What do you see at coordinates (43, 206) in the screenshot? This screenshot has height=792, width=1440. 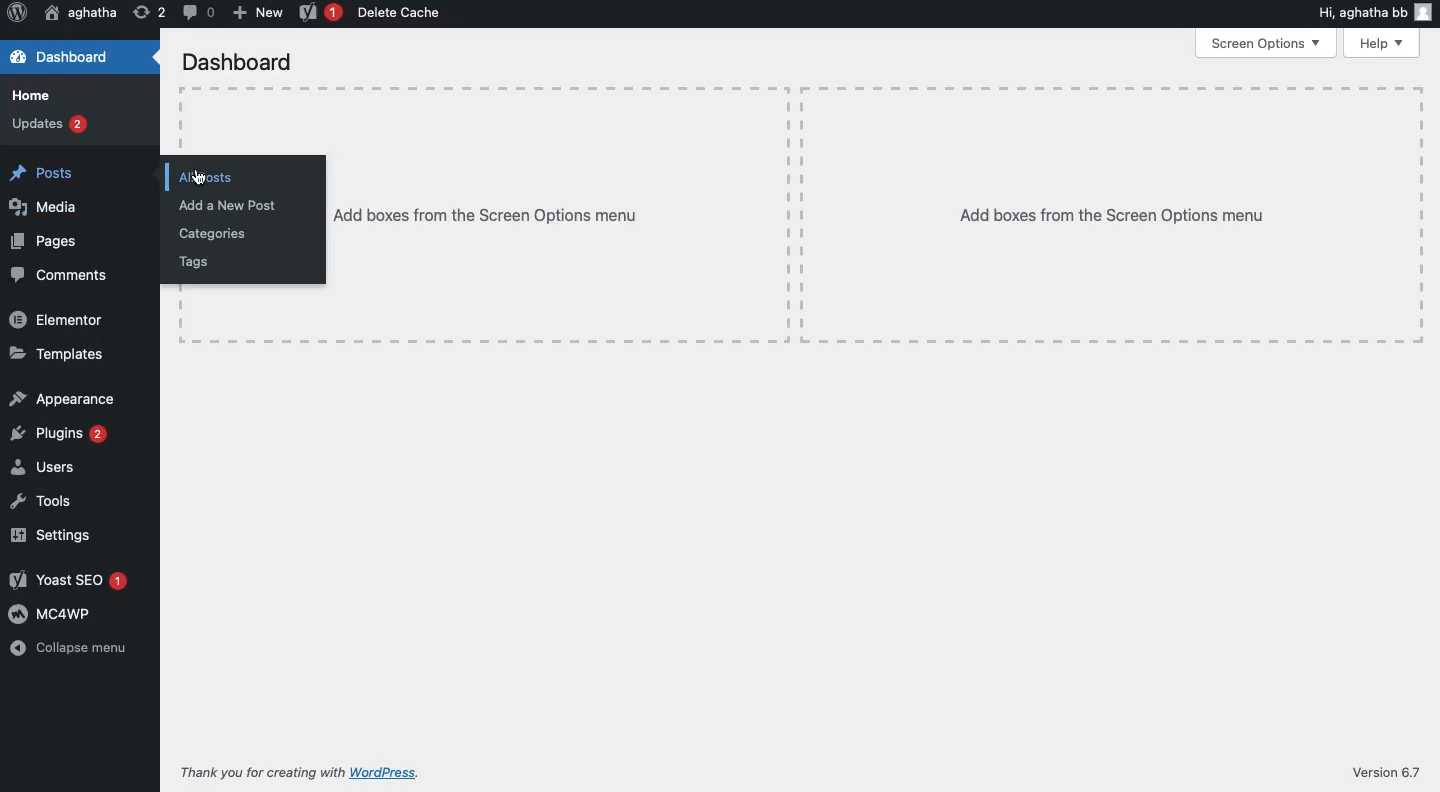 I see `Media` at bounding box center [43, 206].